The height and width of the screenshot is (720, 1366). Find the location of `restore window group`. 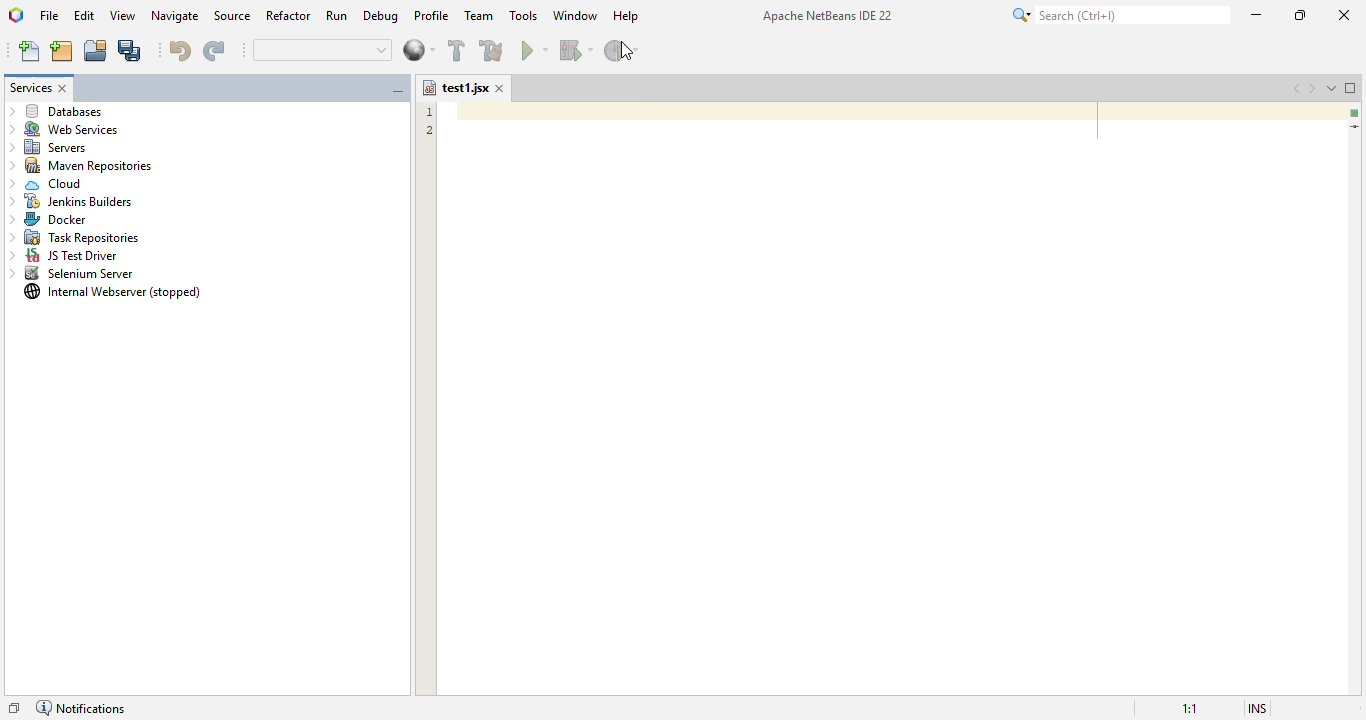

restore window group is located at coordinates (15, 705).